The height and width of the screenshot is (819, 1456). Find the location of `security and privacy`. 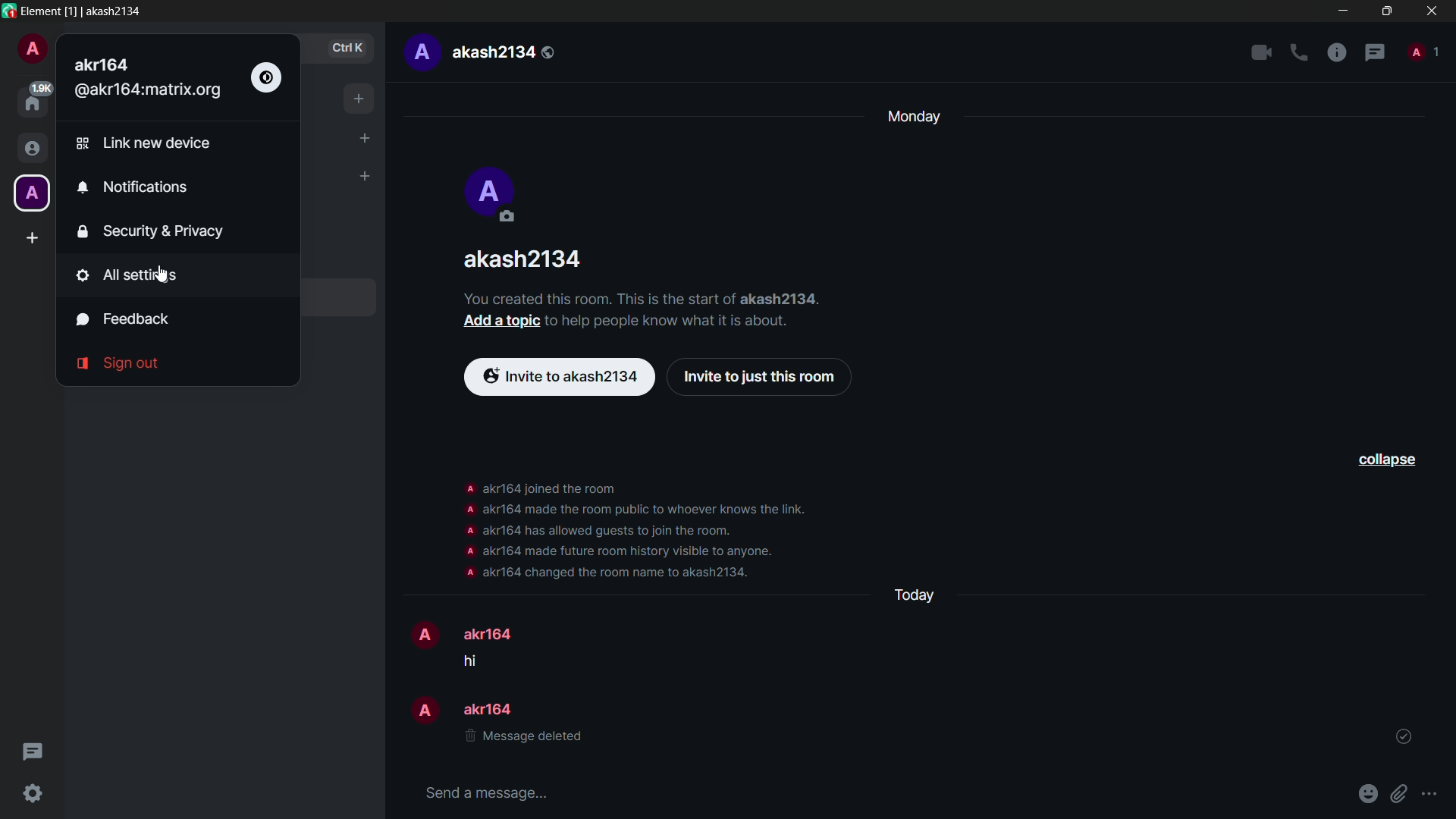

security and privacy is located at coordinates (152, 231).